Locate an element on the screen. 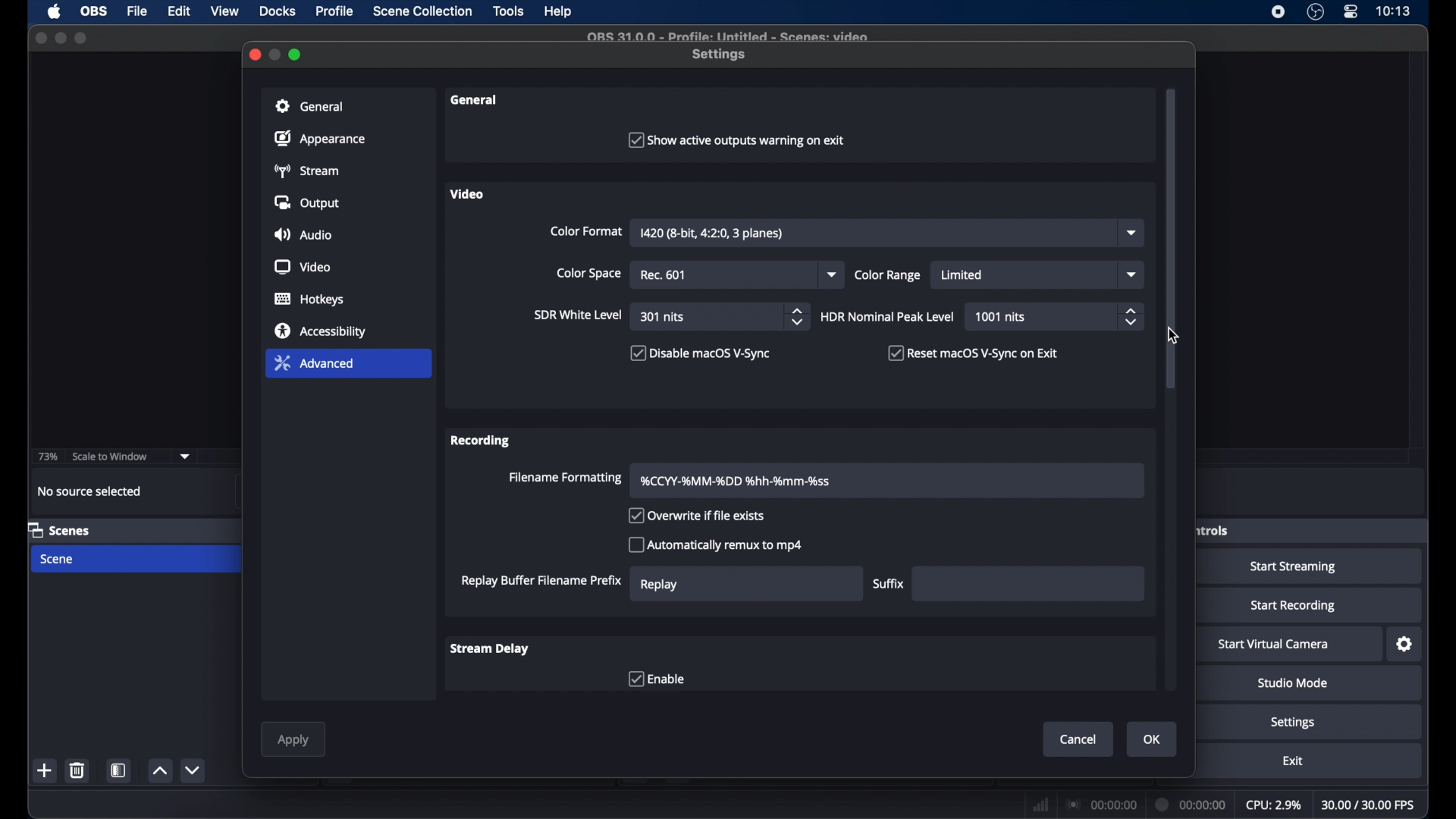  close is located at coordinates (41, 38).